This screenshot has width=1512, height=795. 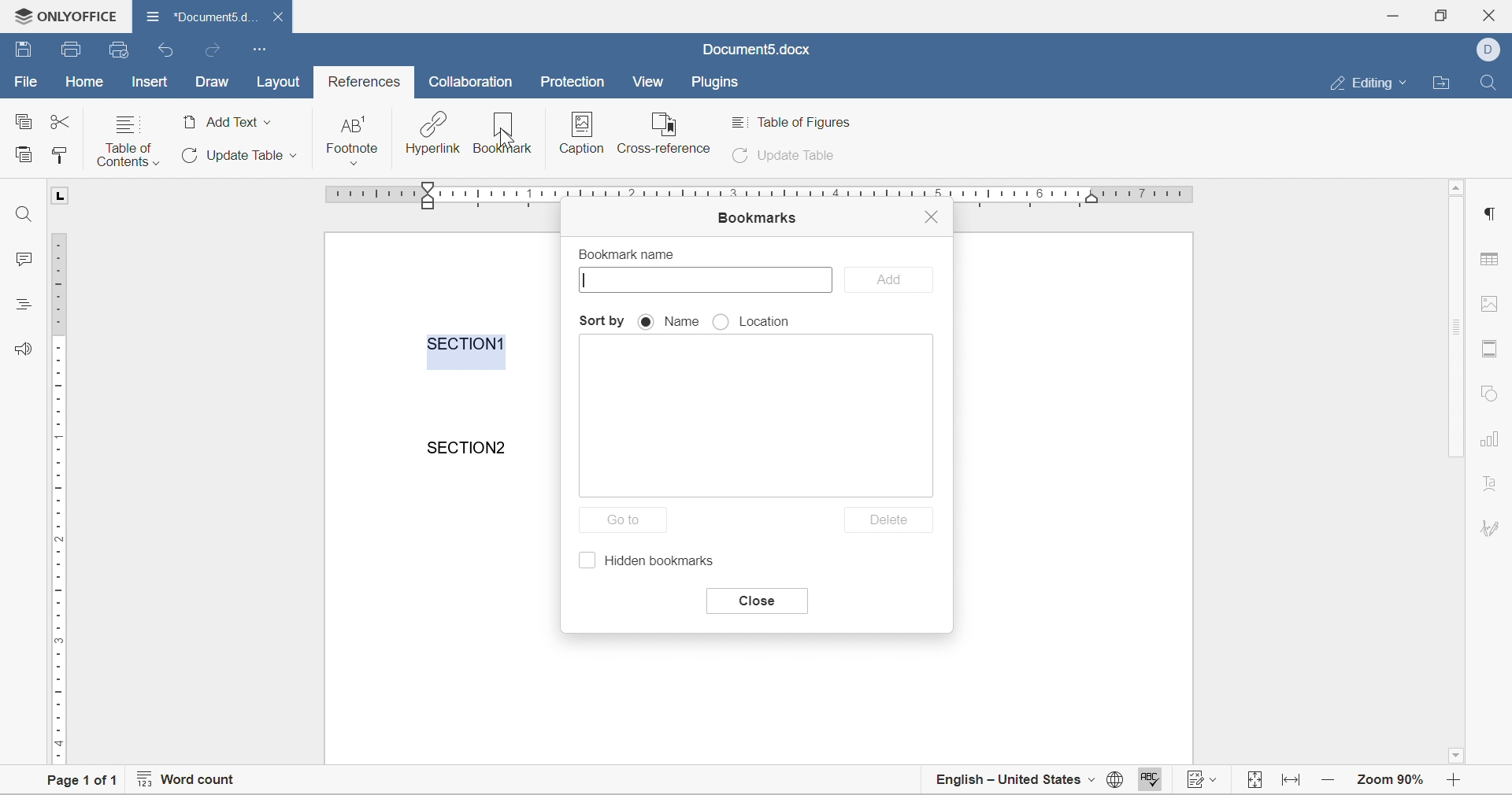 What do you see at coordinates (283, 82) in the screenshot?
I see `layout` at bounding box center [283, 82].